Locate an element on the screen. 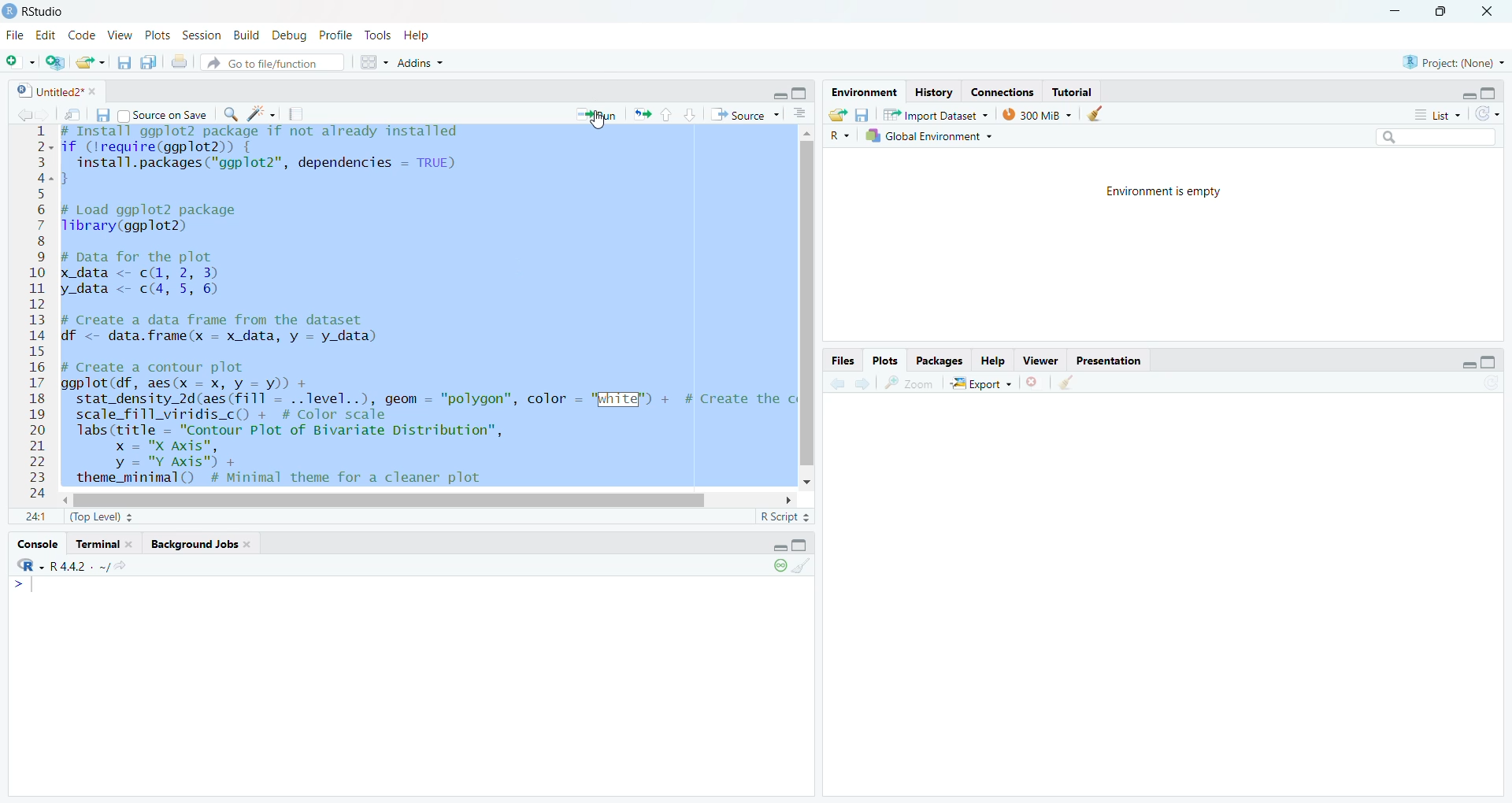 The height and width of the screenshot is (803, 1512). List  is located at coordinates (1440, 115).